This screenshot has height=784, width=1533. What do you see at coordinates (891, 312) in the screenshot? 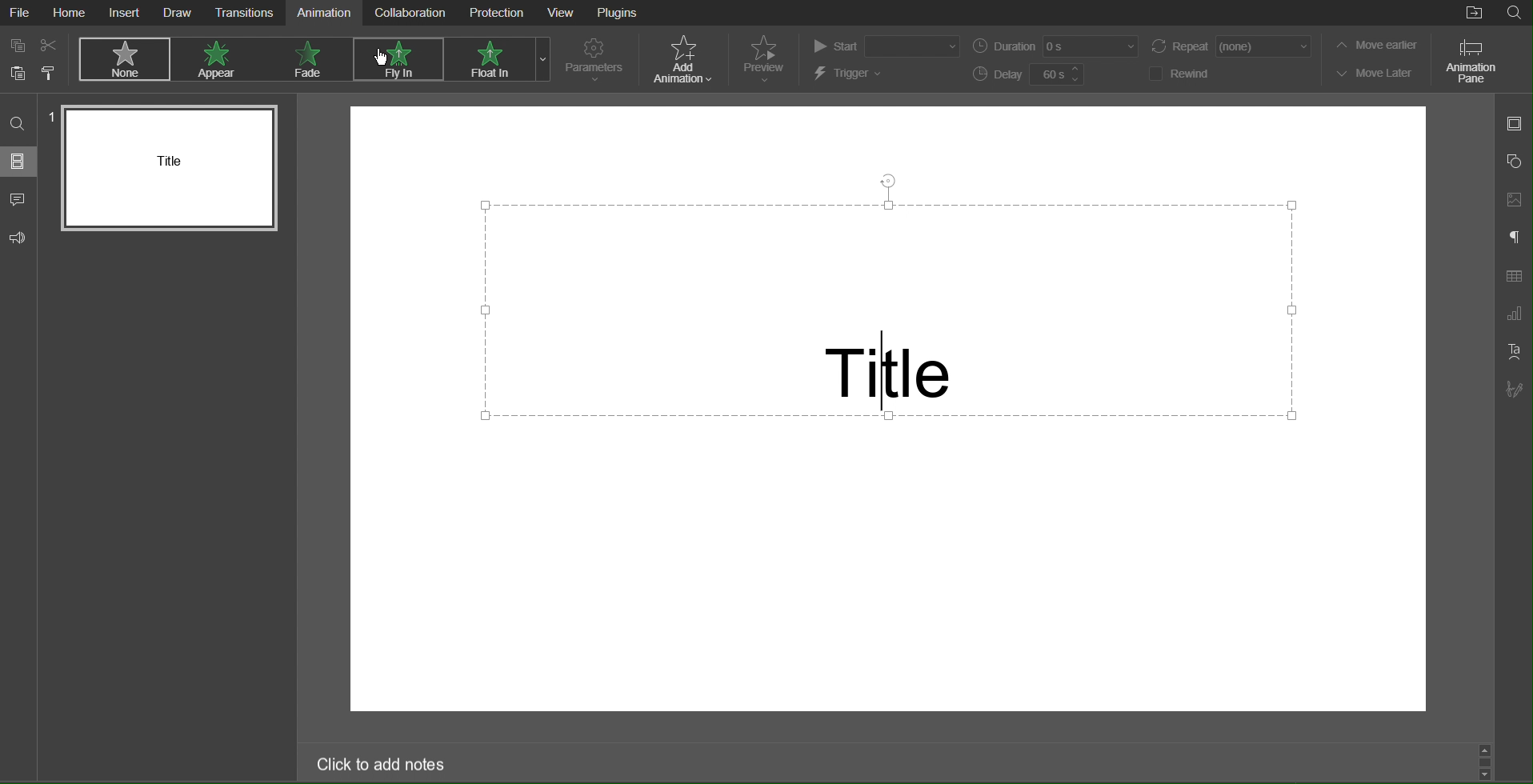
I see `Title (selected)` at bounding box center [891, 312].